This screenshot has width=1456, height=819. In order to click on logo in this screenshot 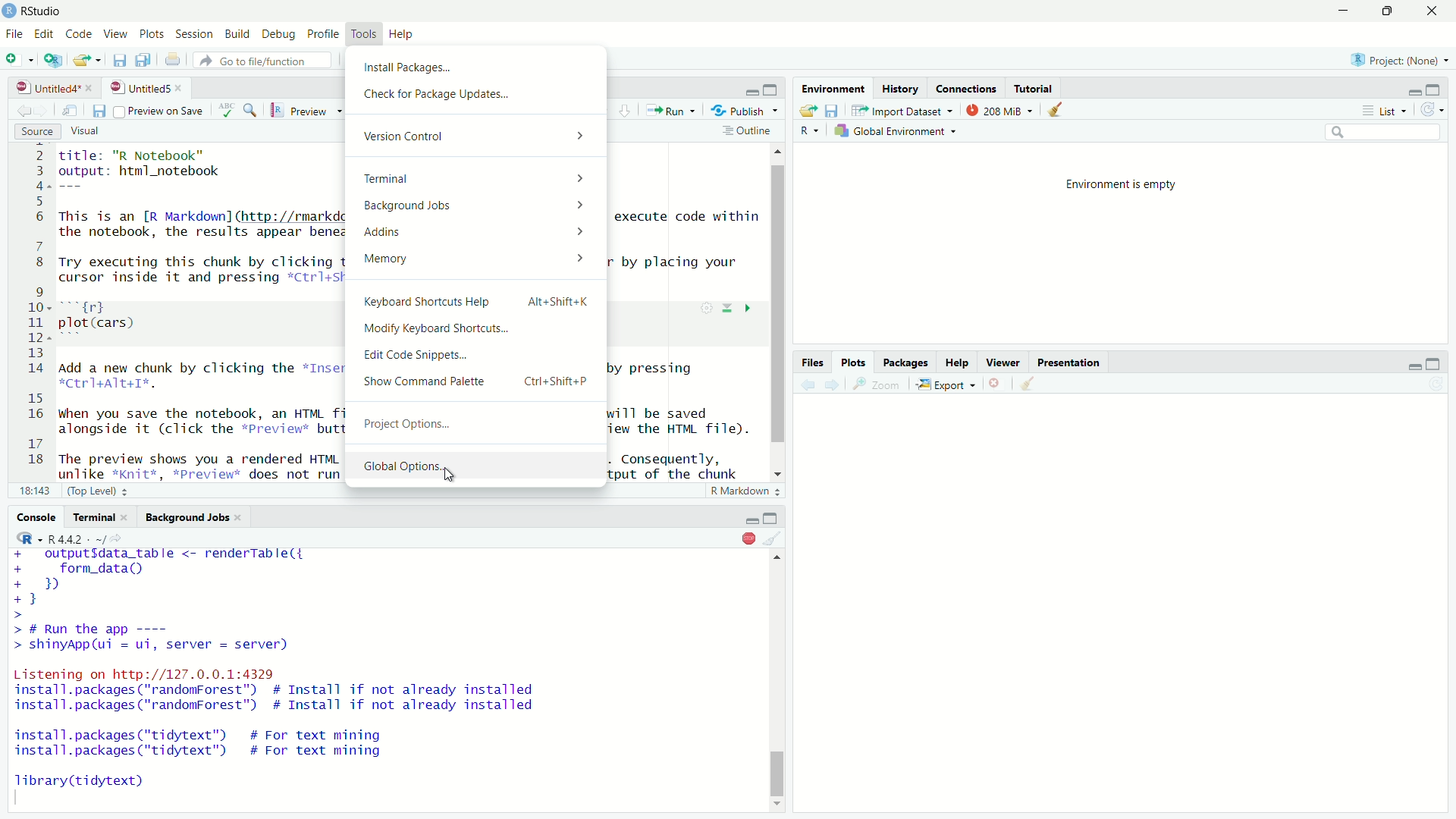, I will do `click(11, 11)`.